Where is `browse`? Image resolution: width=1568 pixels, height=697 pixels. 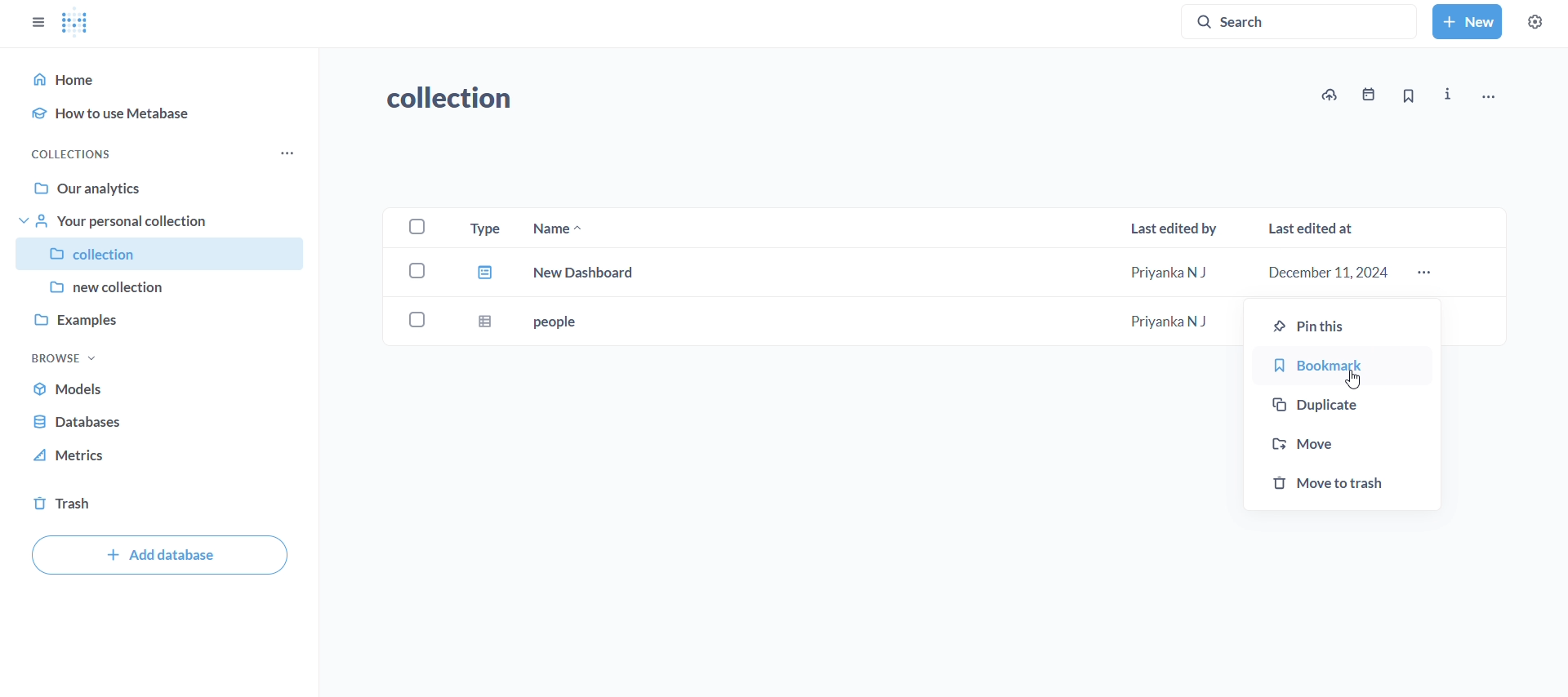 browse is located at coordinates (65, 357).